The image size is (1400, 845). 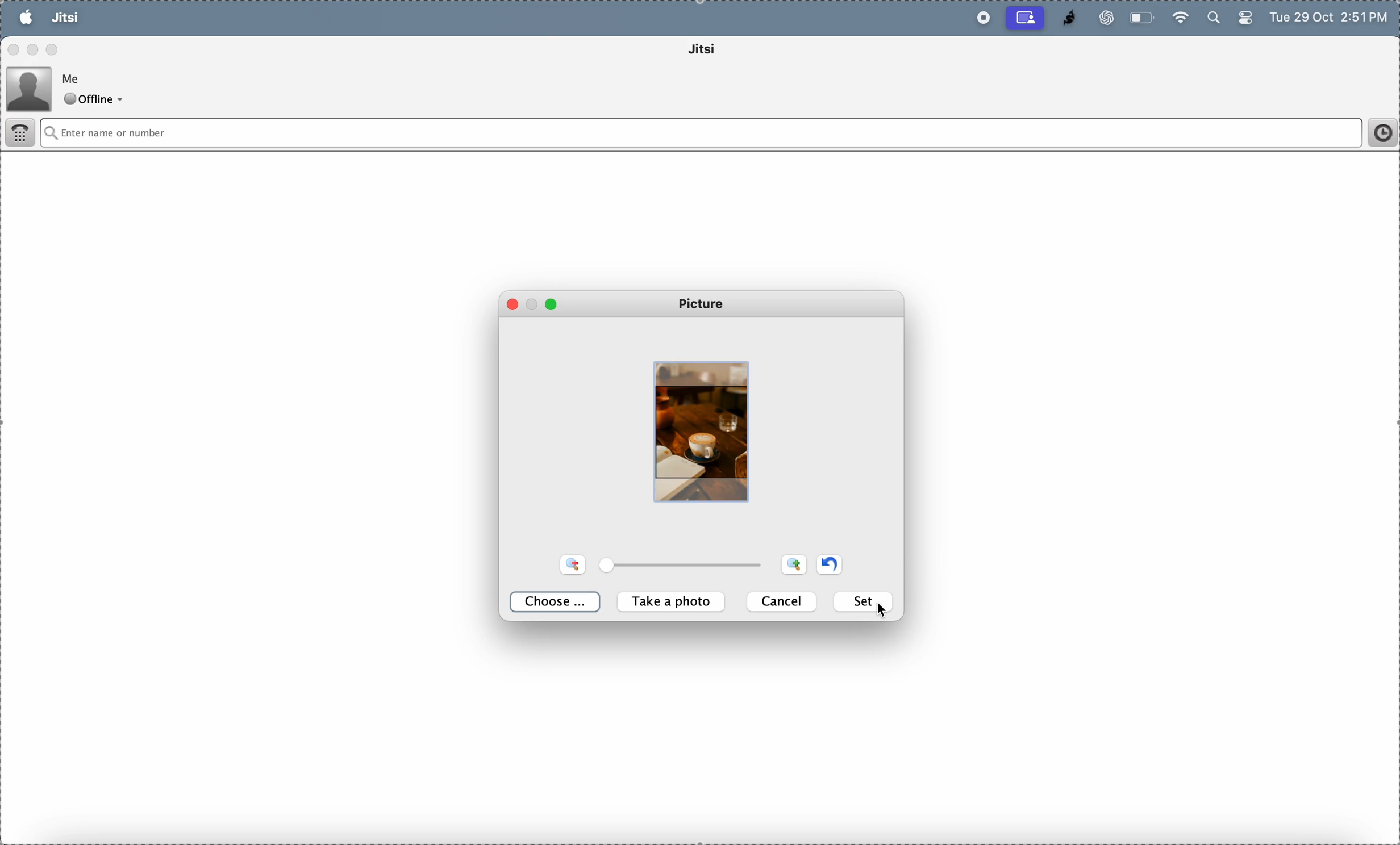 What do you see at coordinates (26, 17) in the screenshot?
I see `apple menu` at bounding box center [26, 17].